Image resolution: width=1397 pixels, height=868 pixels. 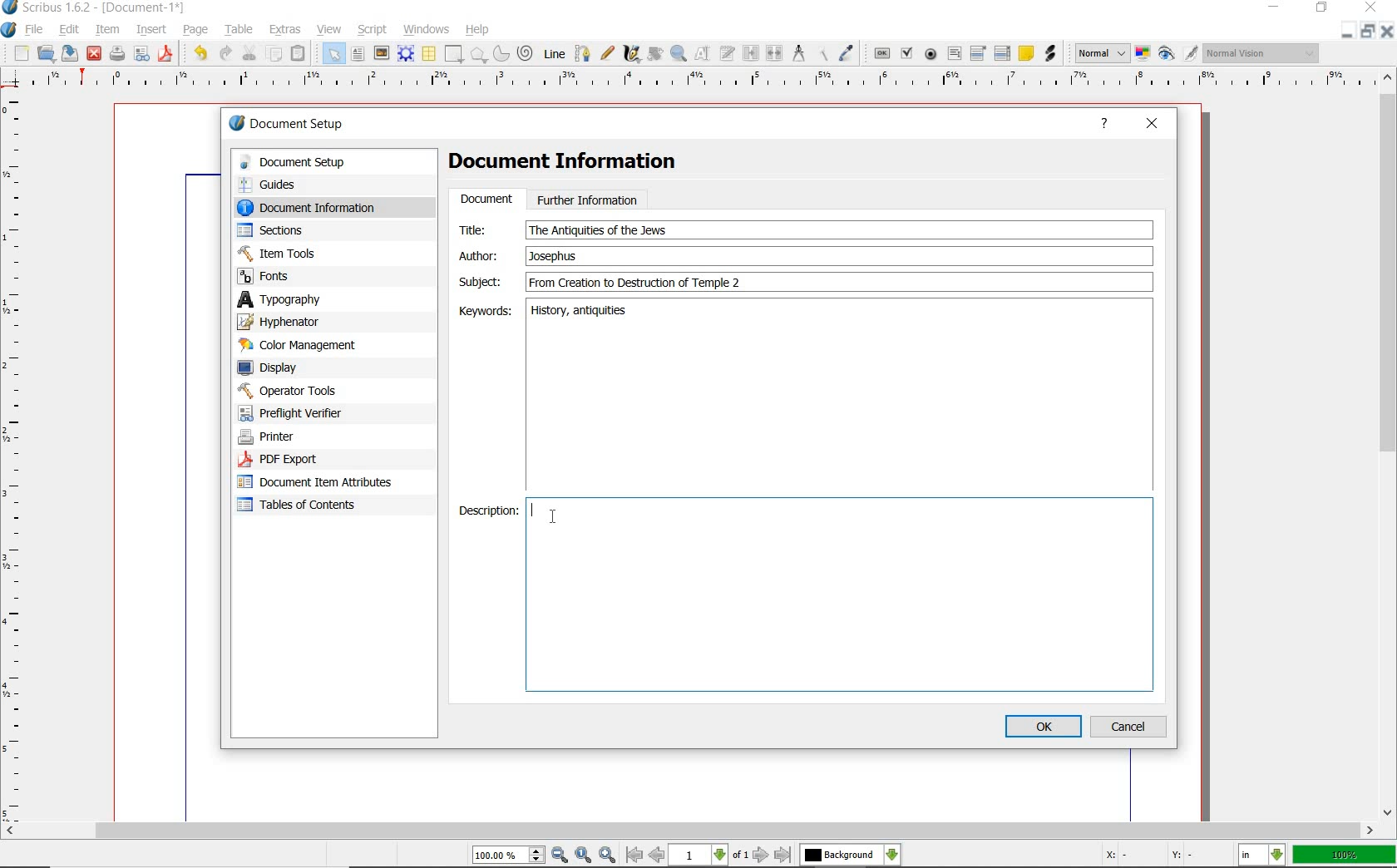 I want to click on pdf push button, so click(x=881, y=53).